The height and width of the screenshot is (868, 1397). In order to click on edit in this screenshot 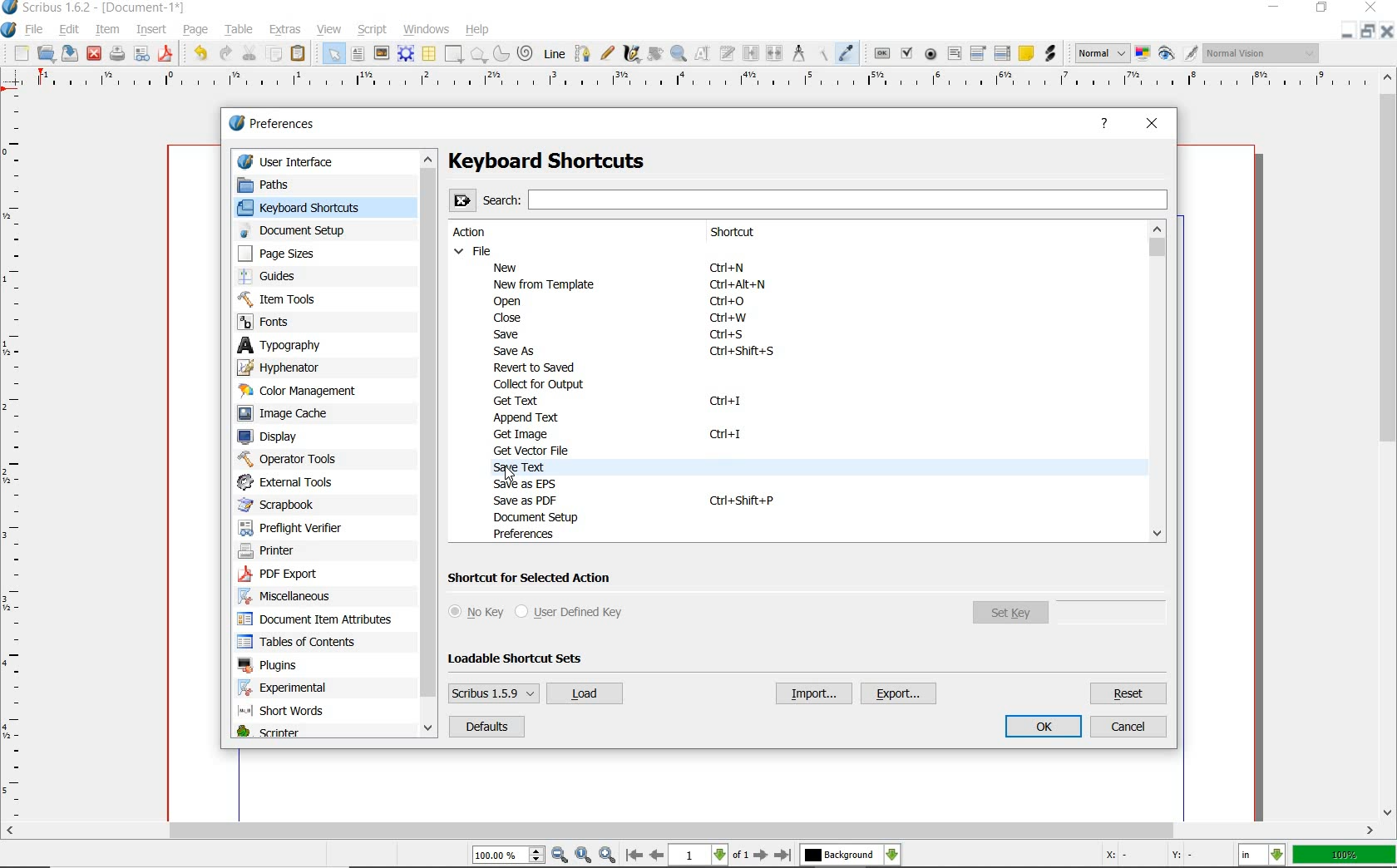, I will do `click(71, 29)`.